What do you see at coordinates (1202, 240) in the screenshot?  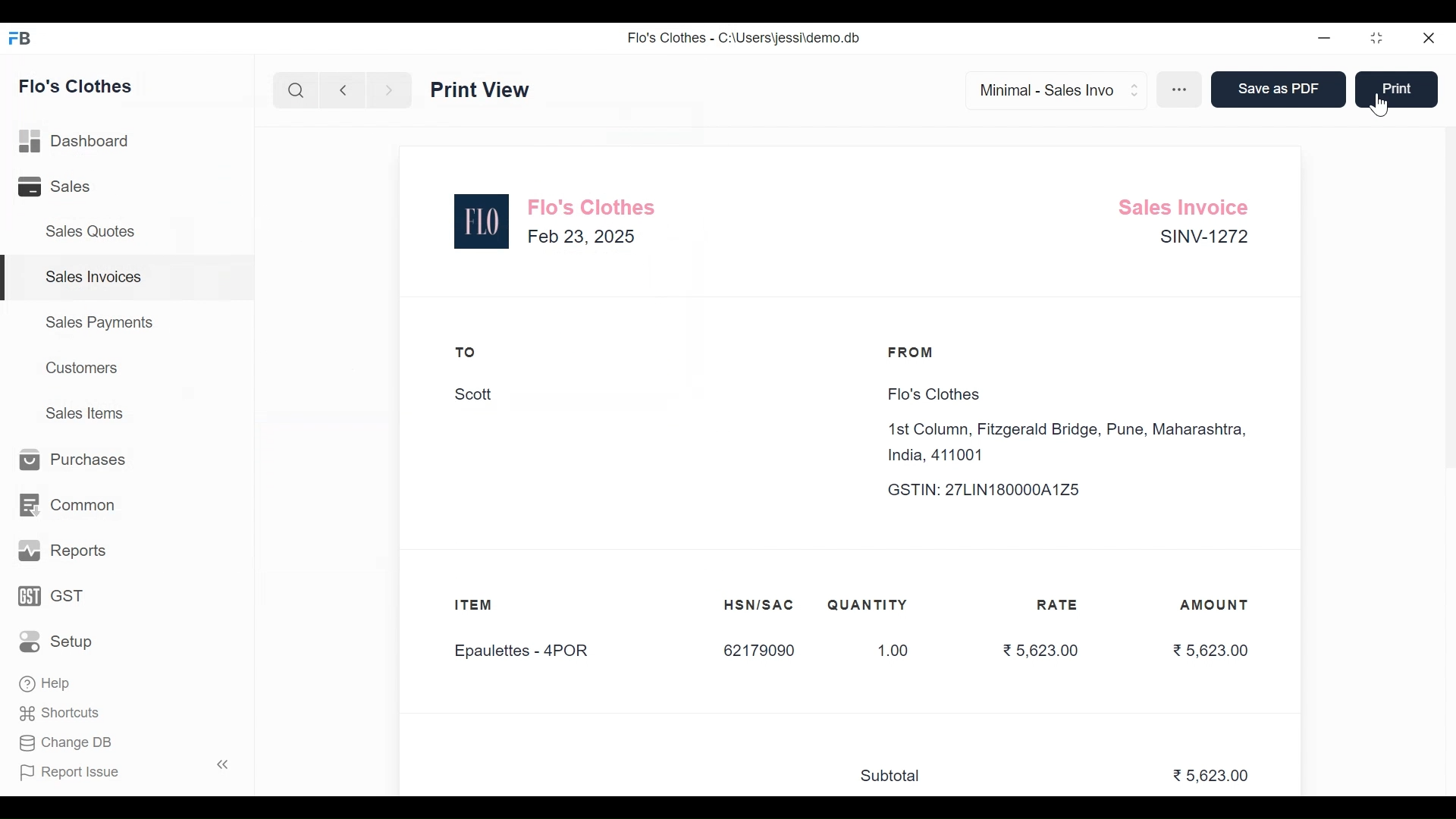 I see `SINV-1272` at bounding box center [1202, 240].